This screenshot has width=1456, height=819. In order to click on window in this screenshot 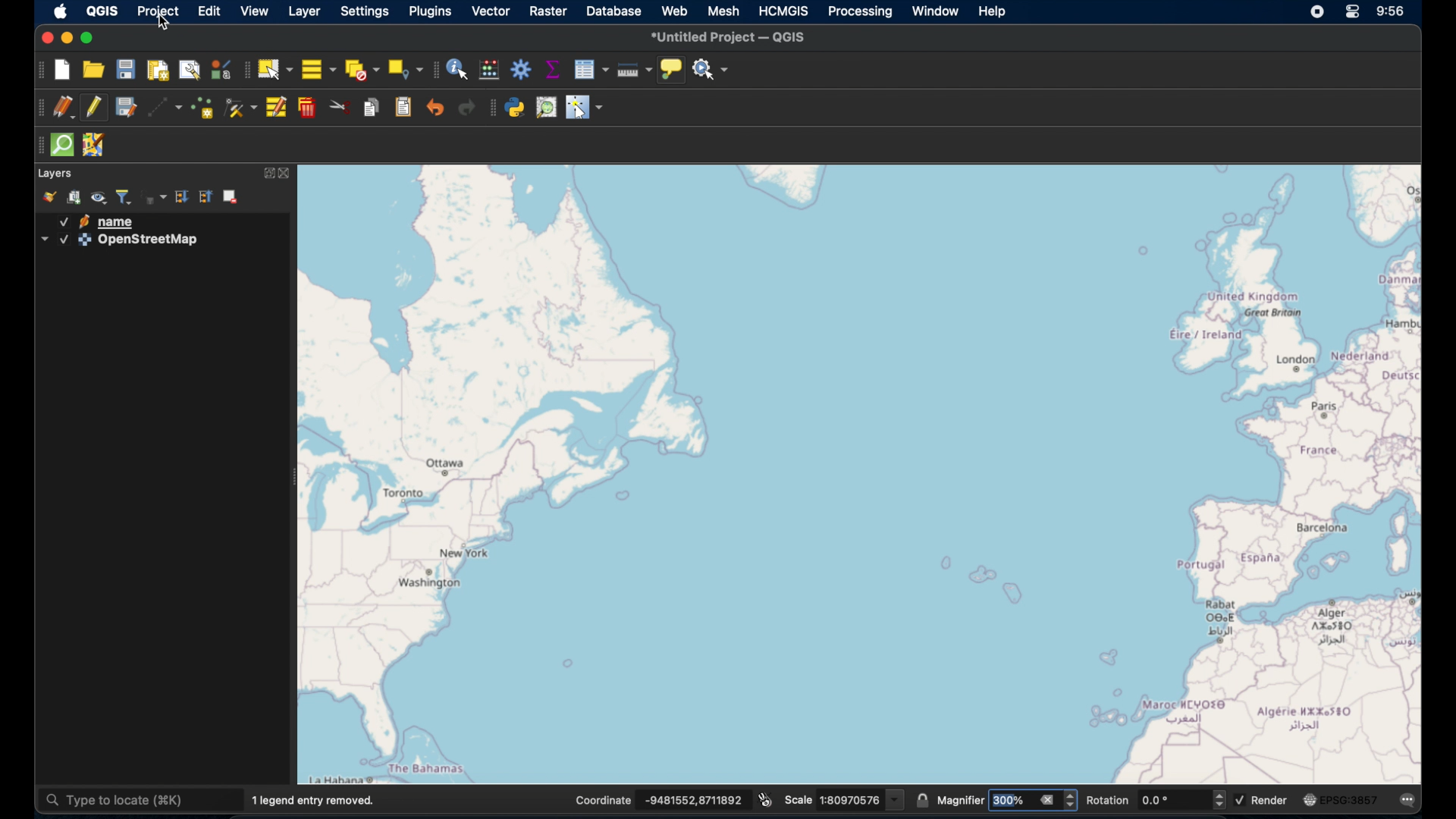, I will do `click(934, 11)`.